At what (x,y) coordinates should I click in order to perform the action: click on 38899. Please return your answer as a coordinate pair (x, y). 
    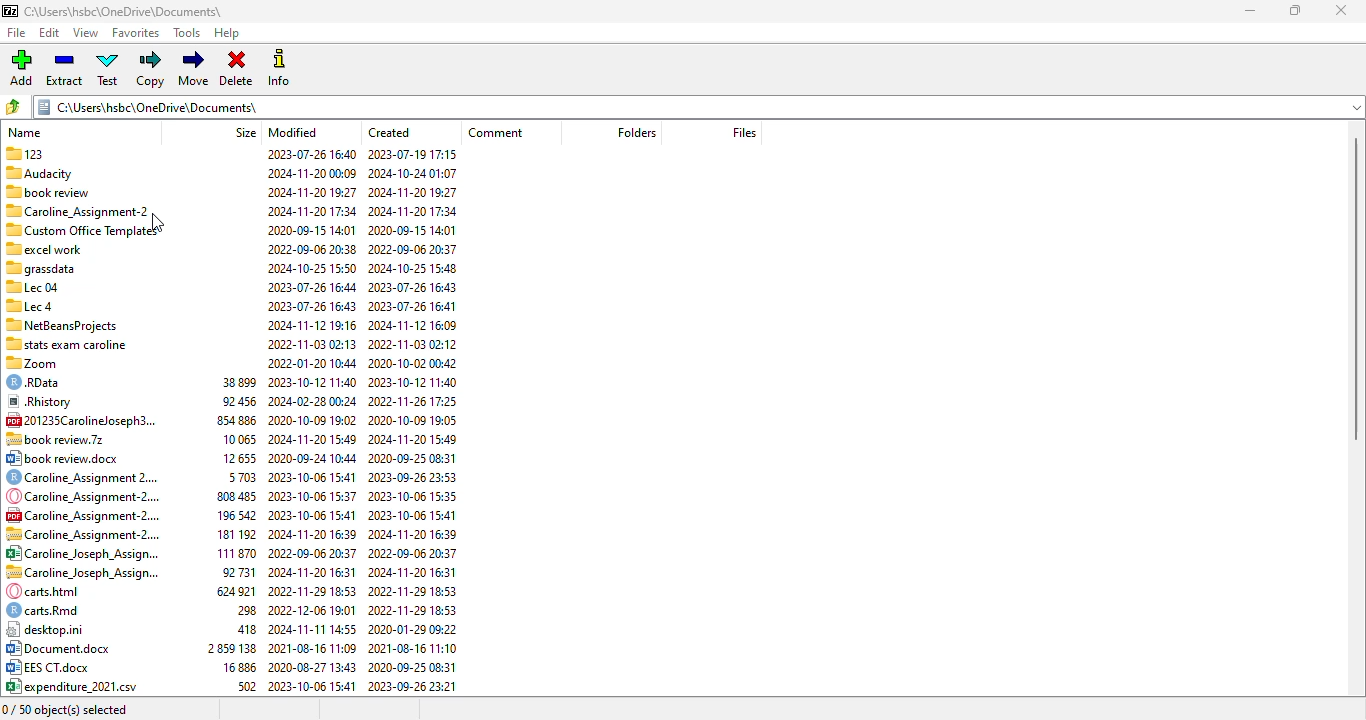
    Looking at the image, I should click on (237, 383).